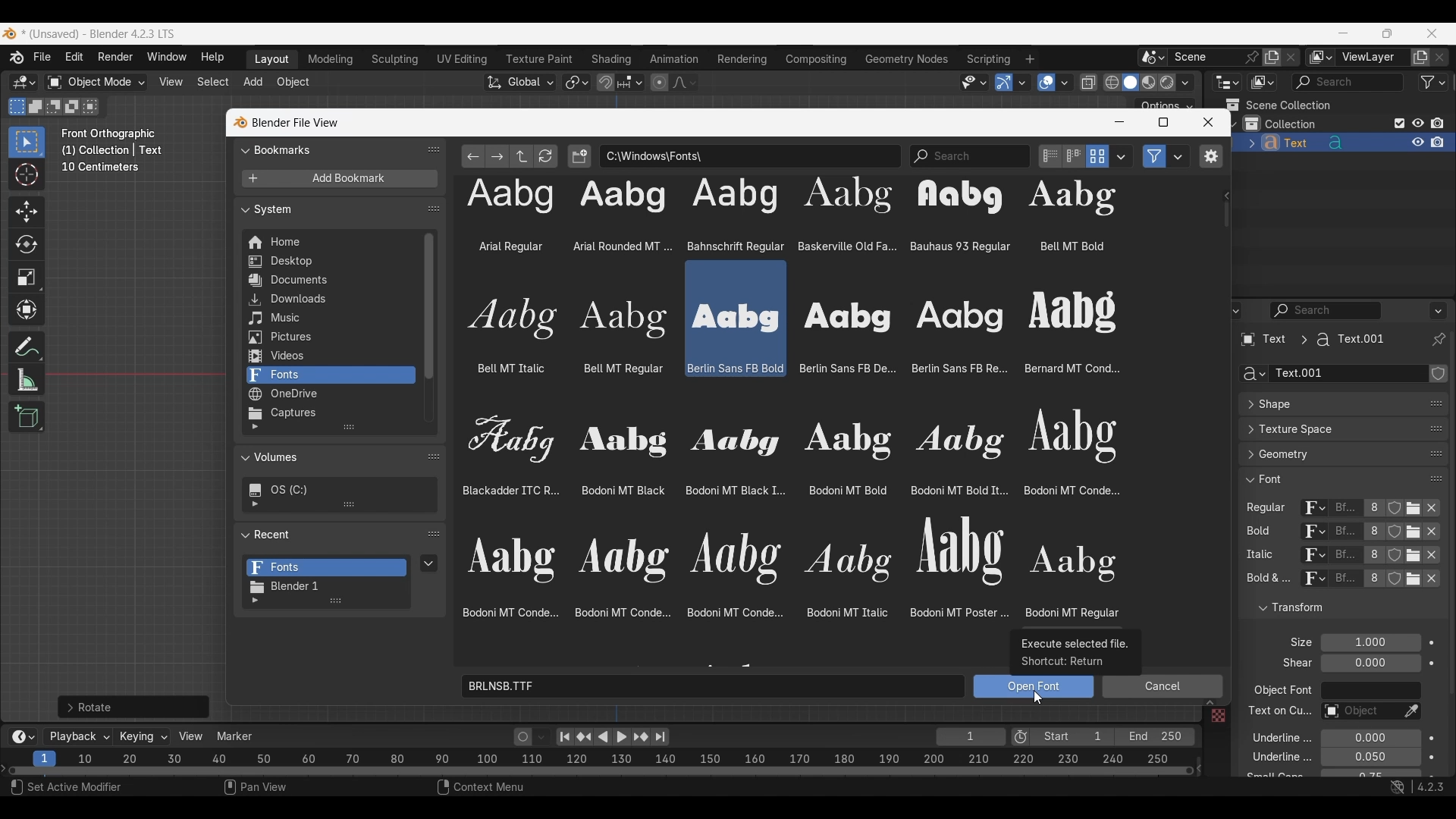 This screenshot has width=1456, height=819. I want to click on Compositing workspace, so click(817, 59).